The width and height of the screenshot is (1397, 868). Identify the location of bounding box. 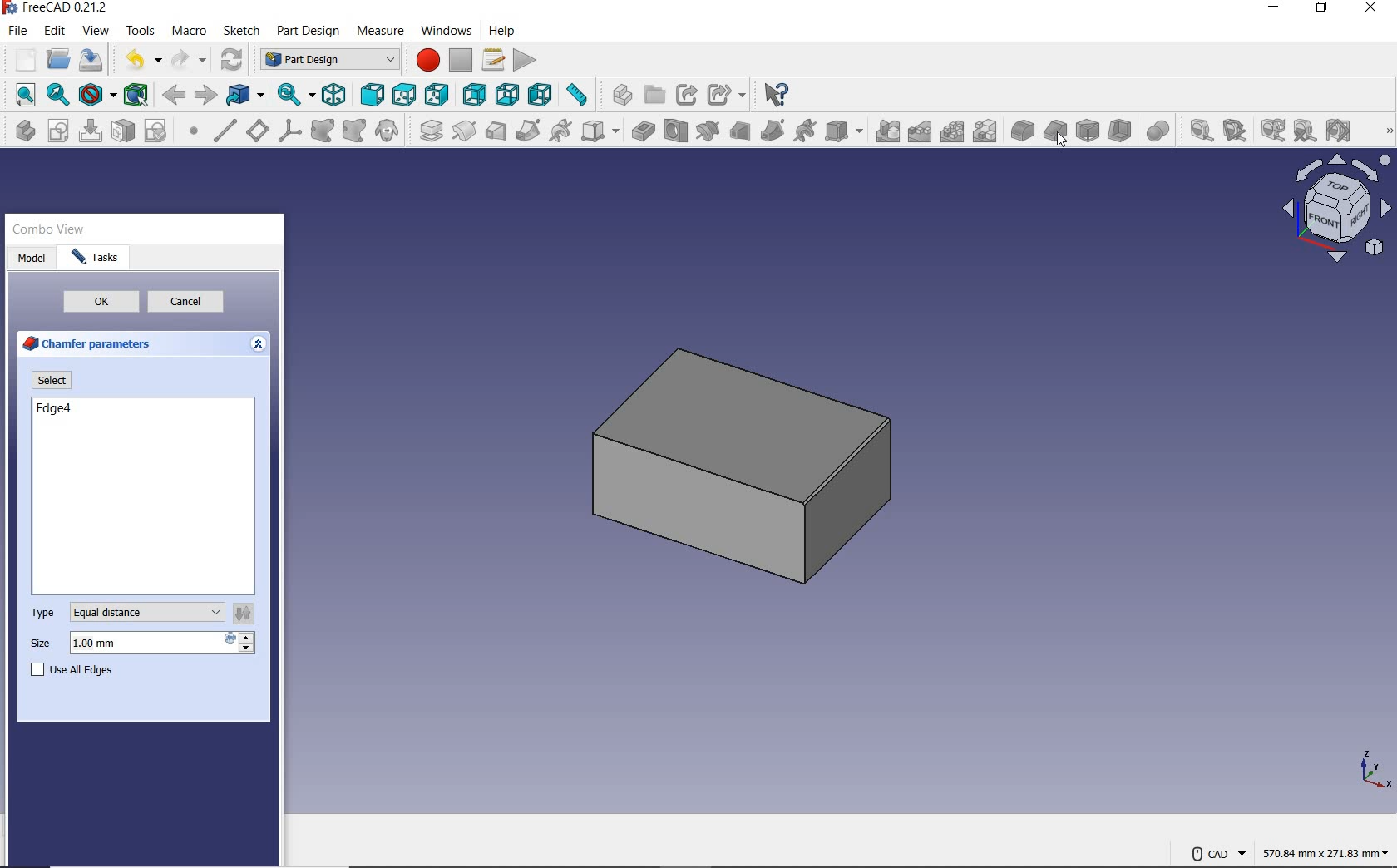
(136, 96).